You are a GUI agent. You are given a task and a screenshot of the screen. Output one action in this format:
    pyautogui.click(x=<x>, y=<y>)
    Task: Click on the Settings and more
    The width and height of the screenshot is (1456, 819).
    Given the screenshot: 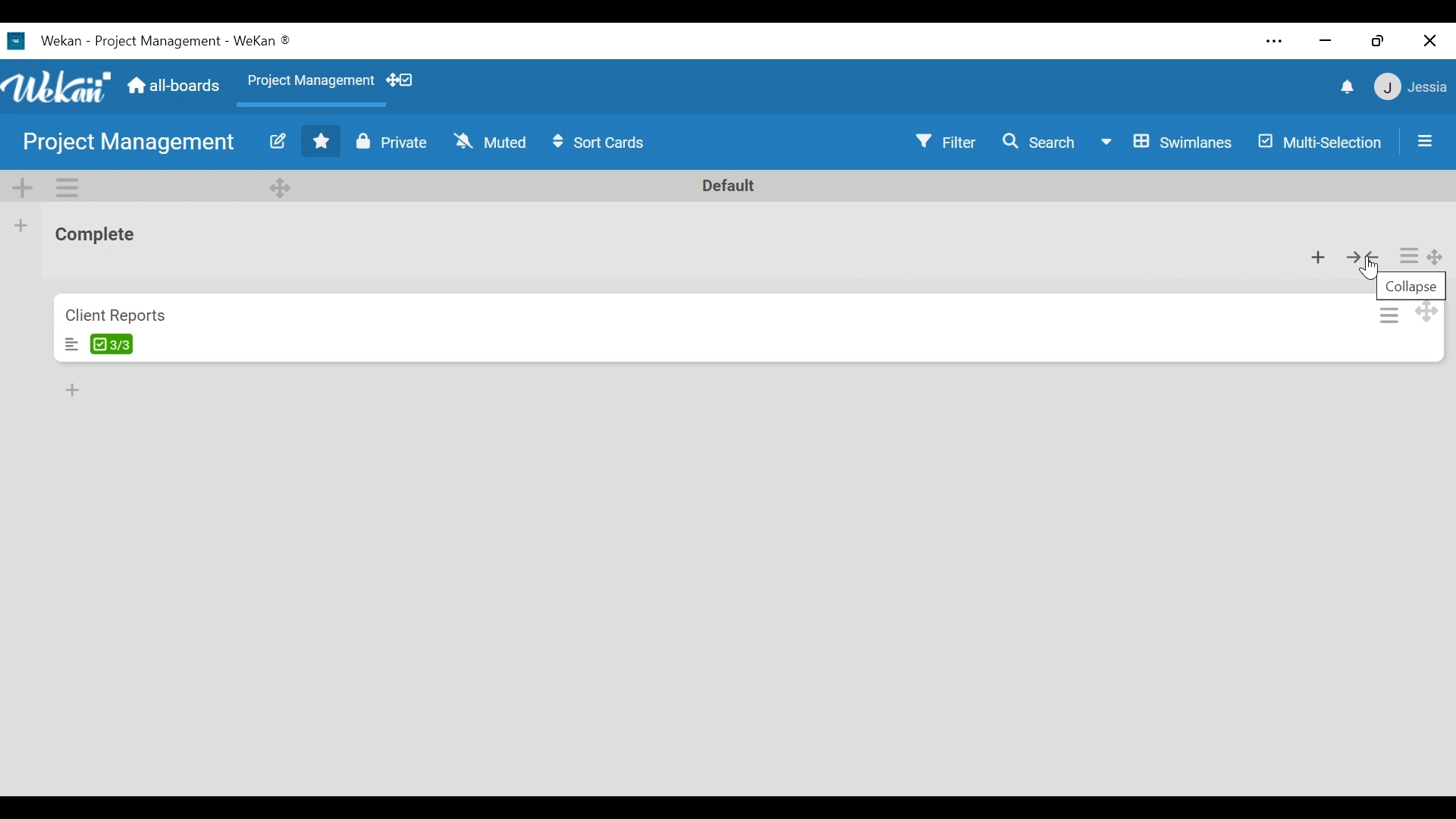 What is the action you would take?
    pyautogui.click(x=1273, y=41)
    